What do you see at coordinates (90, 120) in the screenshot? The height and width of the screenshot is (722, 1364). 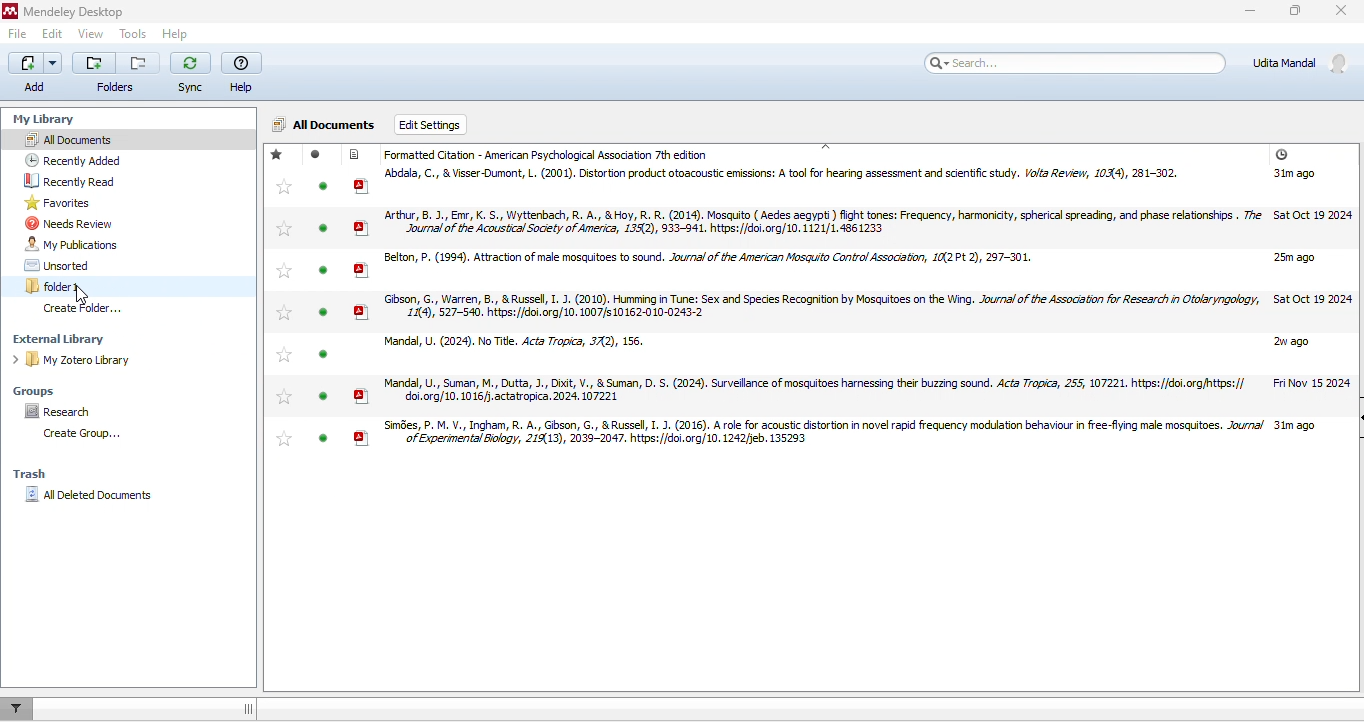 I see `my library` at bounding box center [90, 120].